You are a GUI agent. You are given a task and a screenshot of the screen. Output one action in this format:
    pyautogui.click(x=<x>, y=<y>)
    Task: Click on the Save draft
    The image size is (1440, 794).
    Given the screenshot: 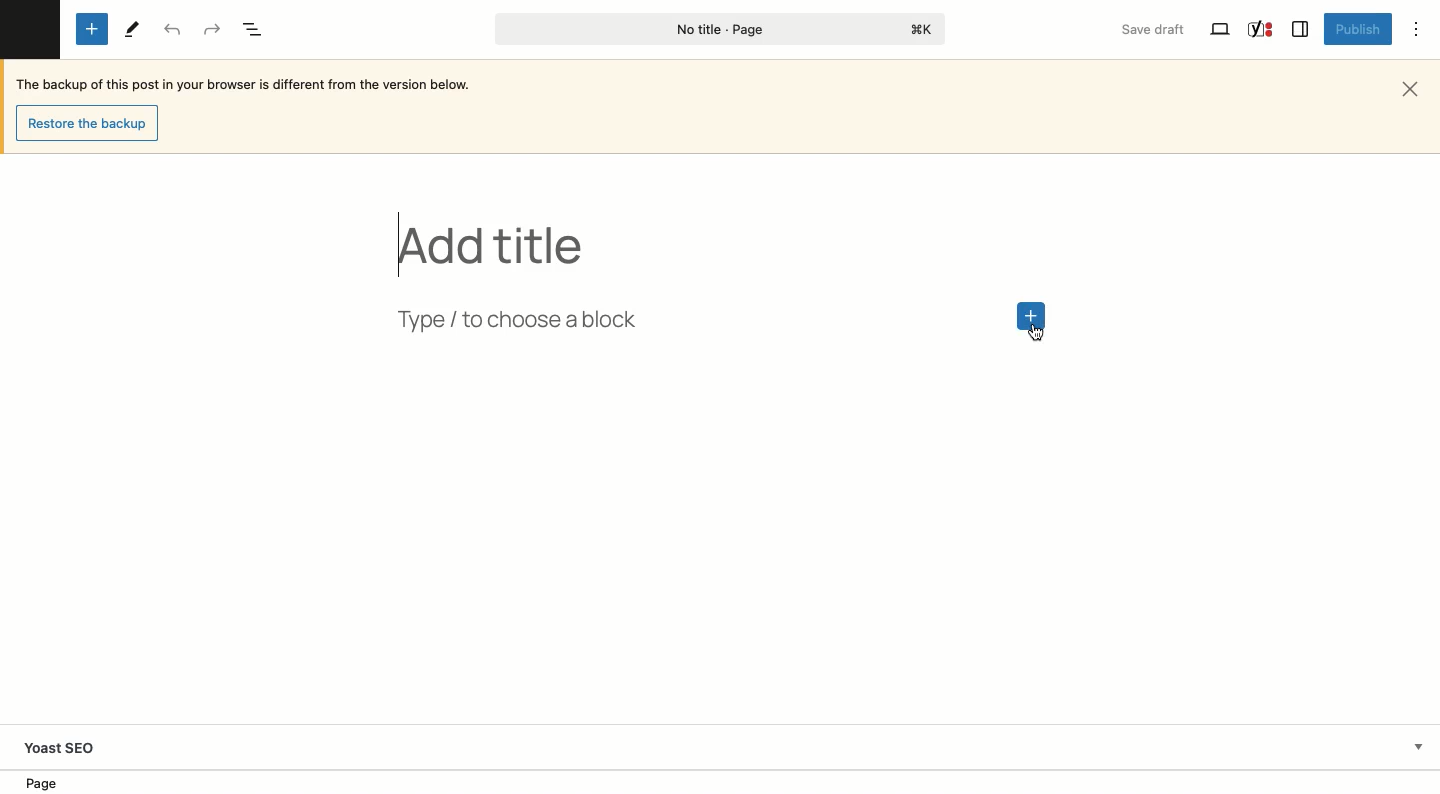 What is the action you would take?
    pyautogui.click(x=1156, y=31)
    